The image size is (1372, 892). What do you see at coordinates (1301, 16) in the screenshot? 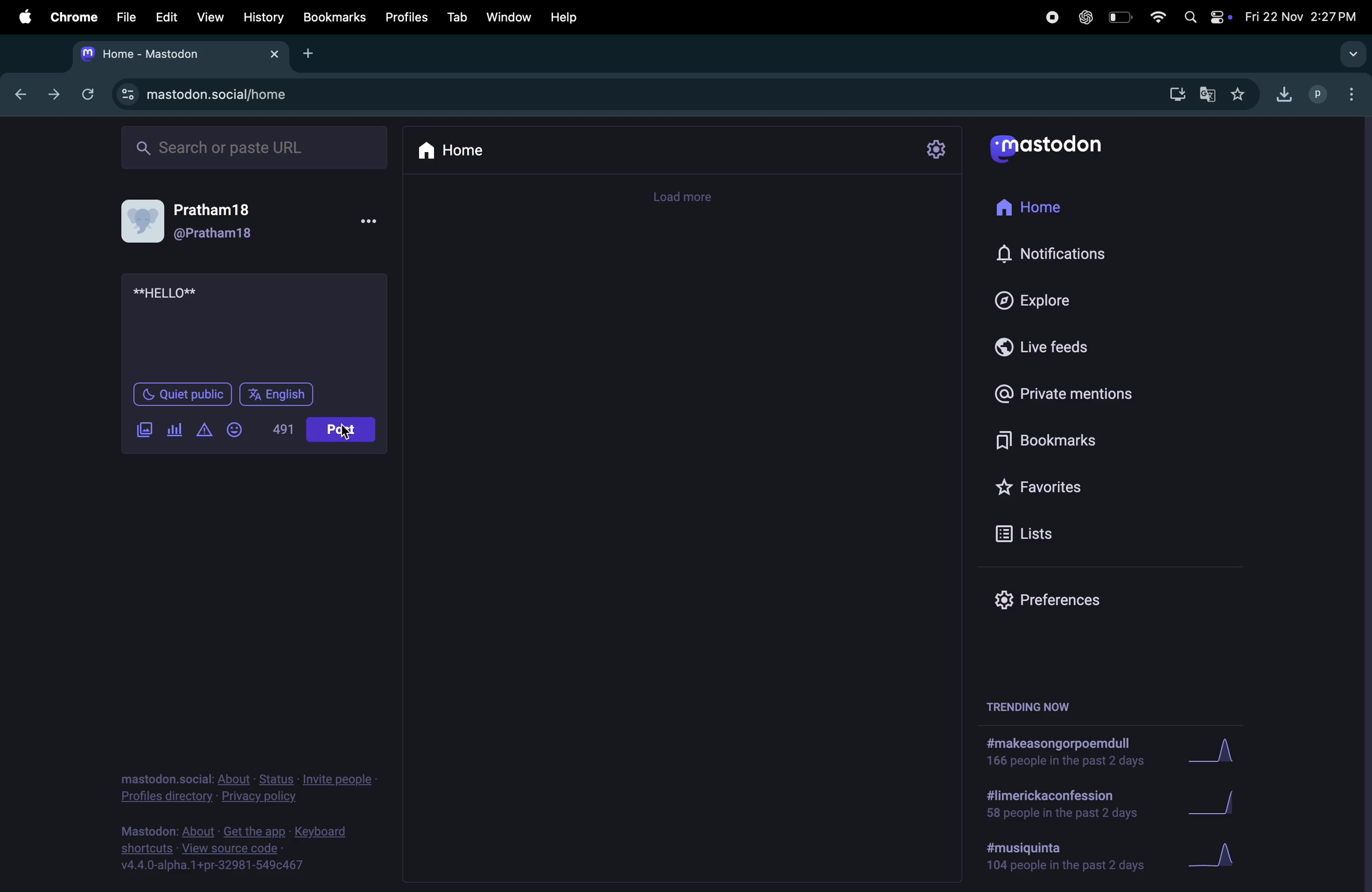
I see `date and time` at bounding box center [1301, 16].